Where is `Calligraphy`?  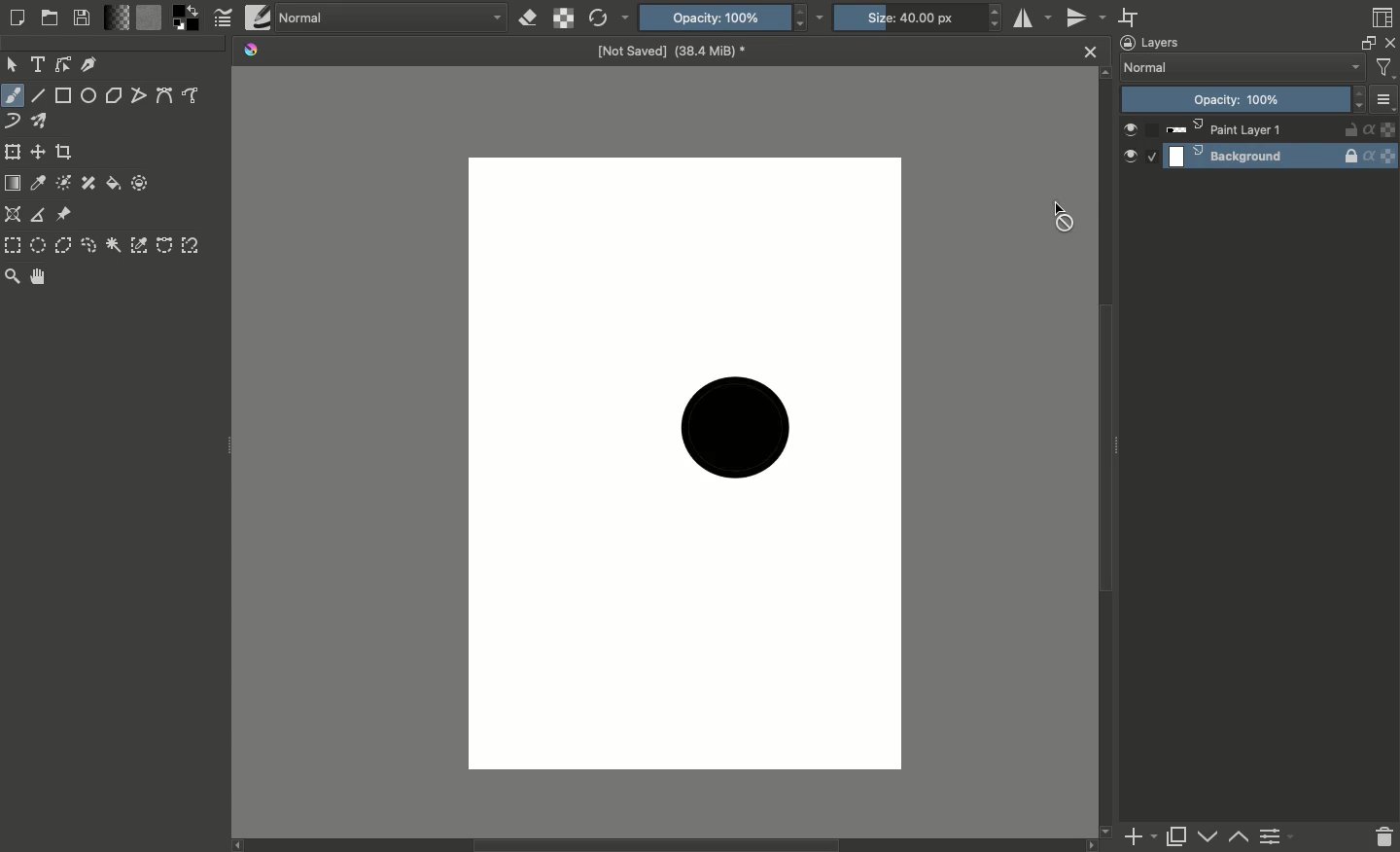
Calligraphy is located at coordinates (93, 63).